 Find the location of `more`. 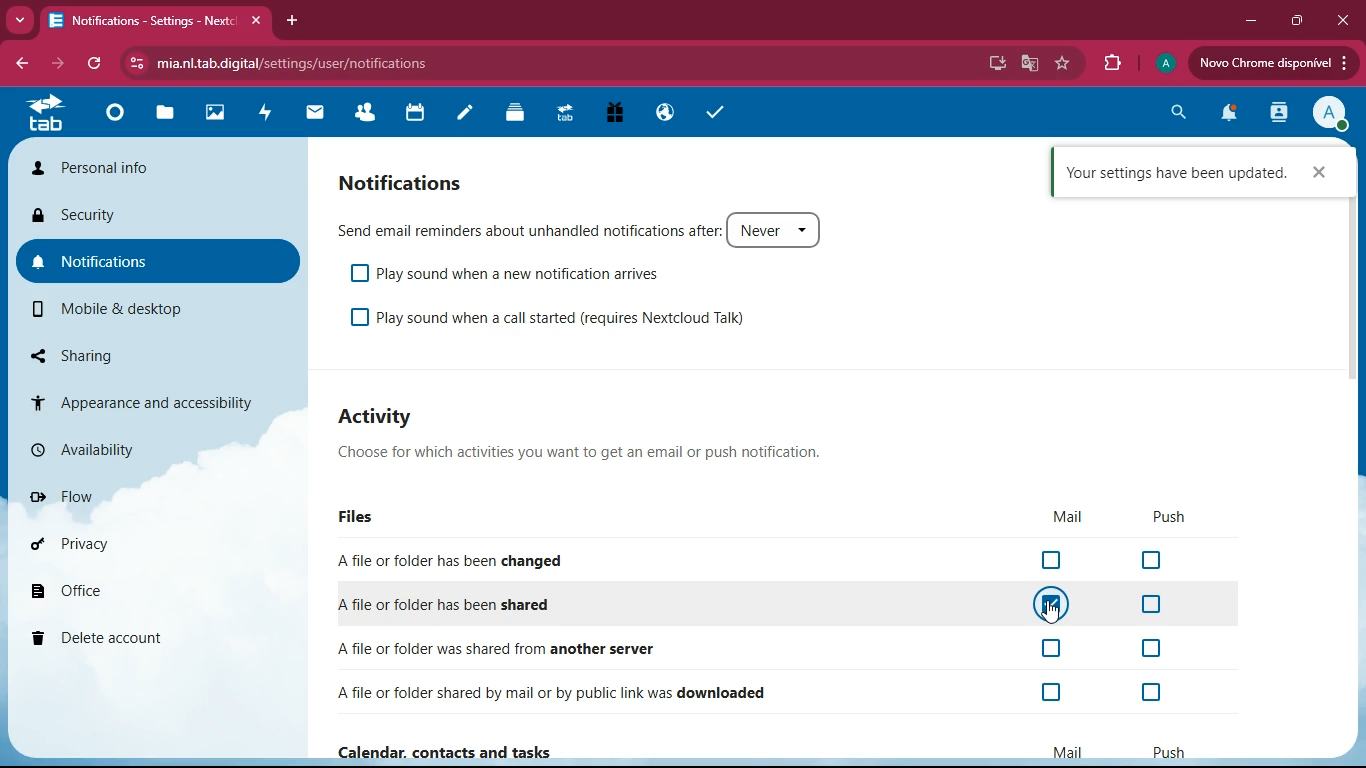

more is located at coordinates (20, 18).